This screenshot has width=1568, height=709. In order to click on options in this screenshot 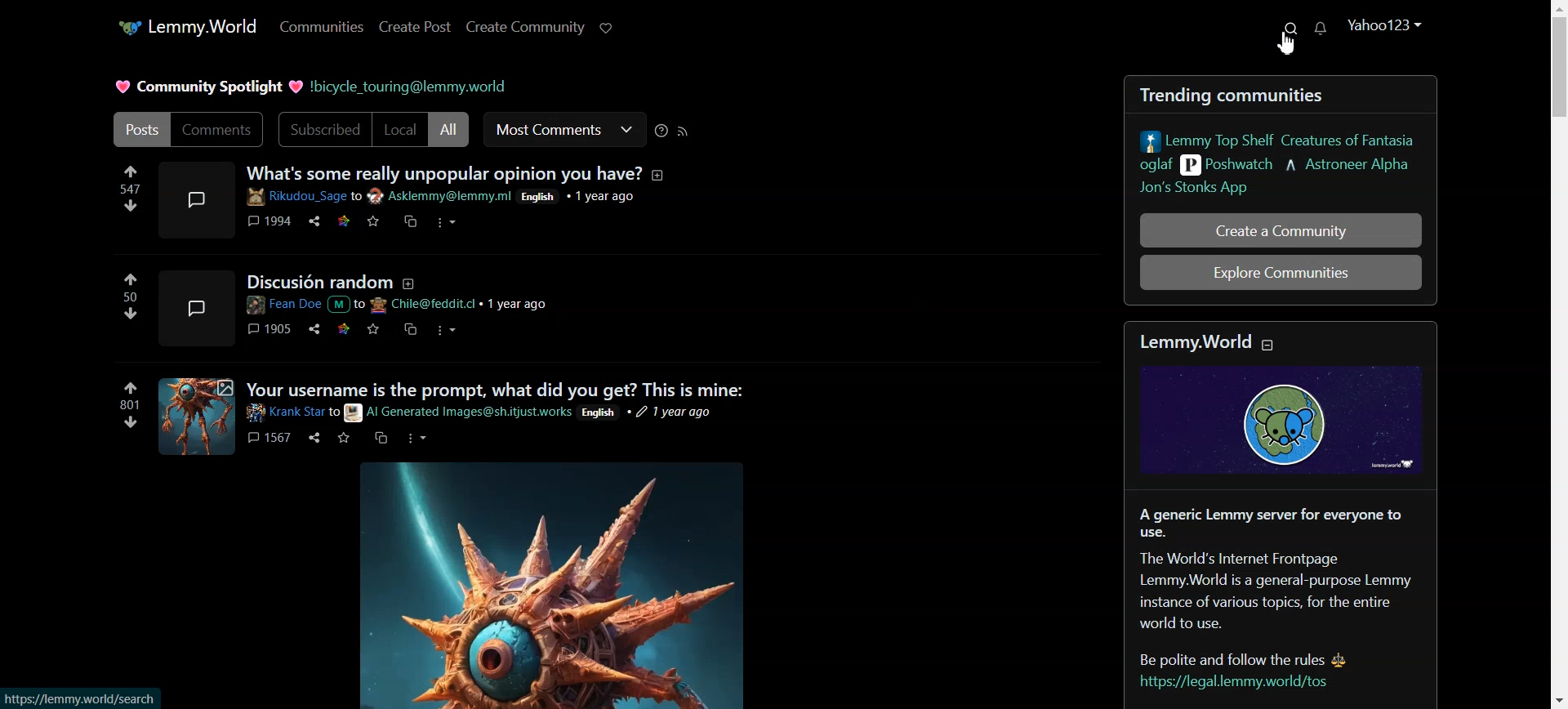, I will do `click(443, 223)`.